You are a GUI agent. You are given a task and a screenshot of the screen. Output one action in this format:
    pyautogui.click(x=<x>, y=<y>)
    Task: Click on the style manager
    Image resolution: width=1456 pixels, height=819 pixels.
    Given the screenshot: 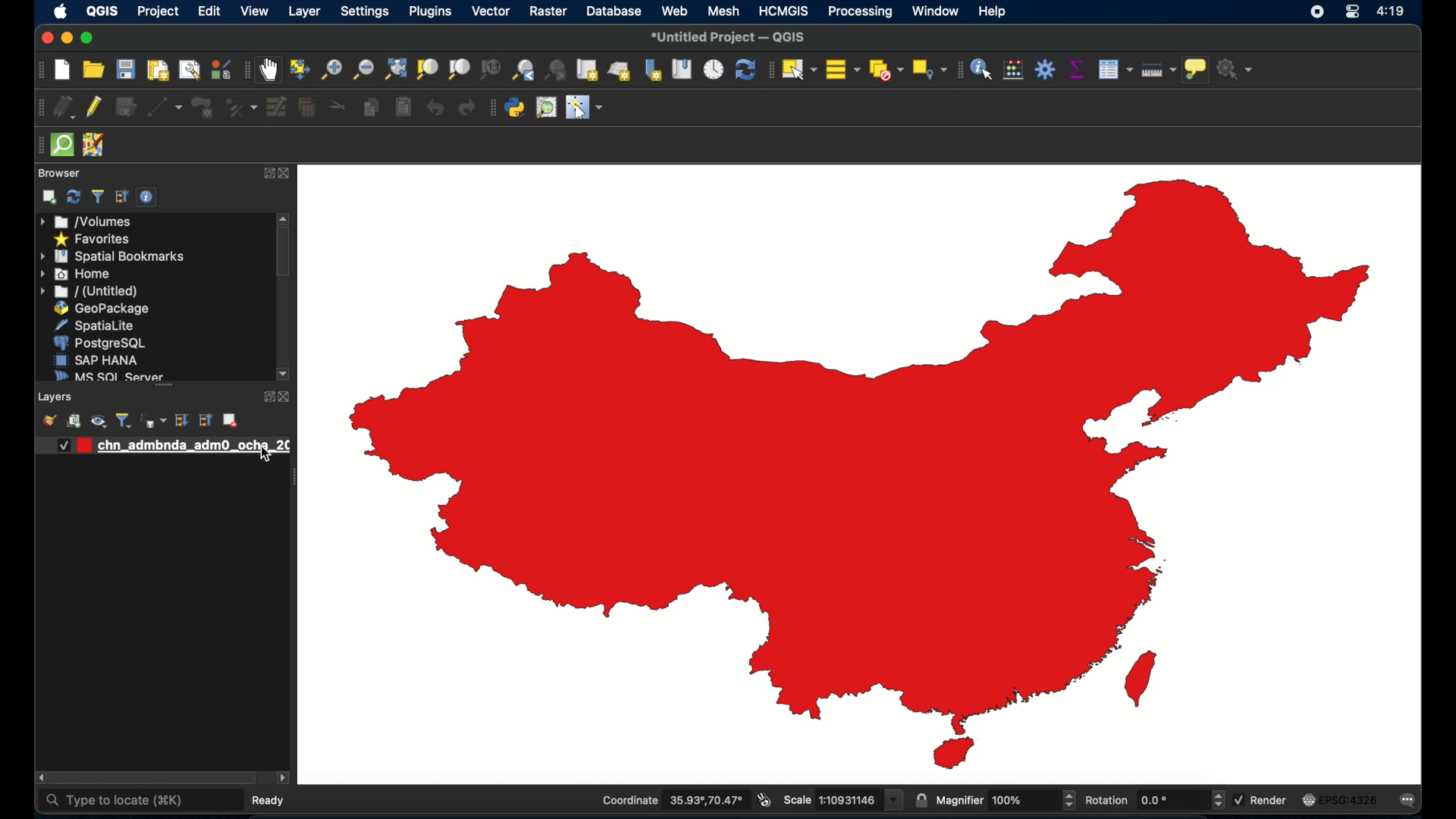 What is the action you would take?
    pyautogui.click(x=220, y=70)
    